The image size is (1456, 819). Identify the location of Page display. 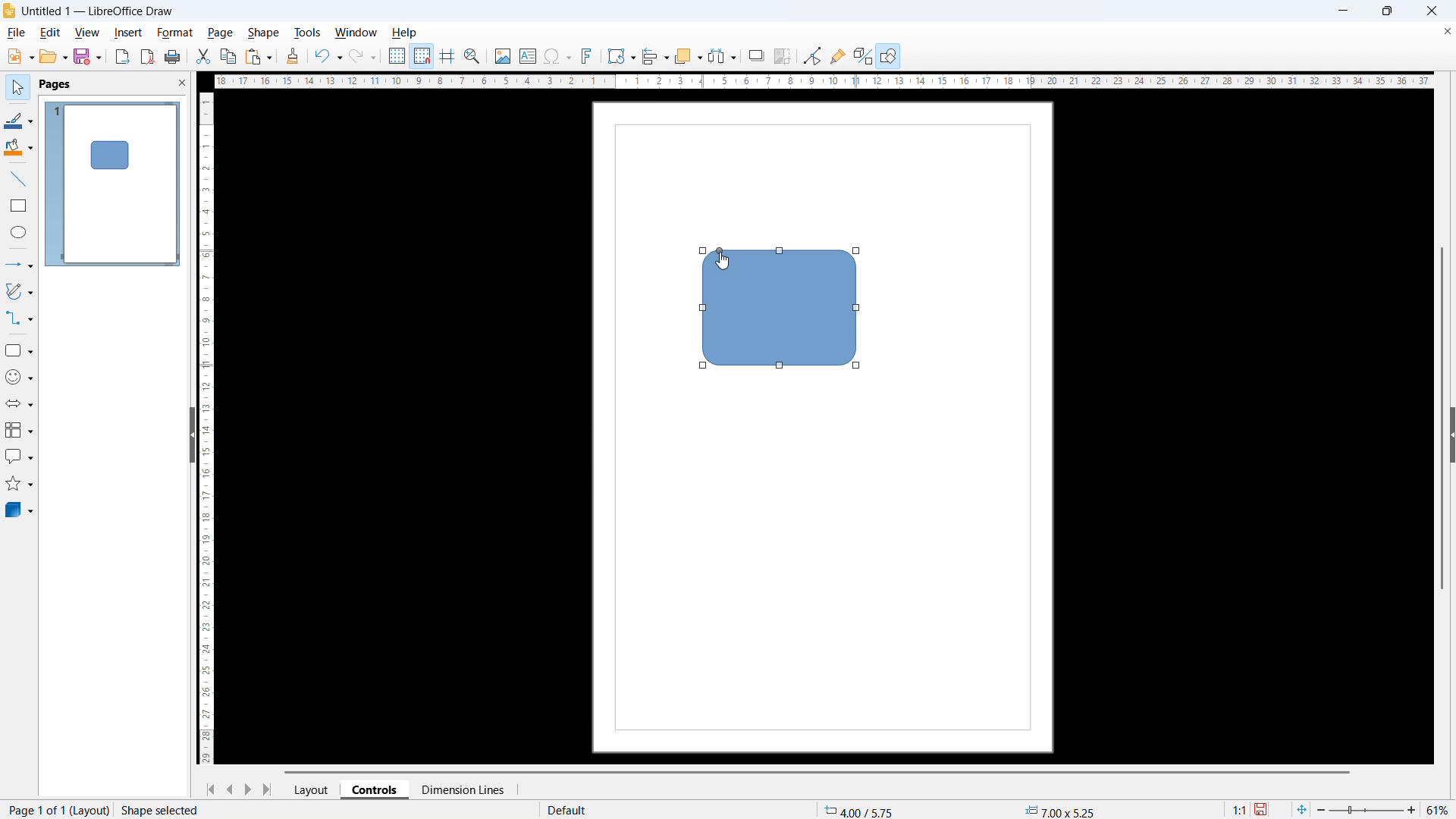
(112, 183).